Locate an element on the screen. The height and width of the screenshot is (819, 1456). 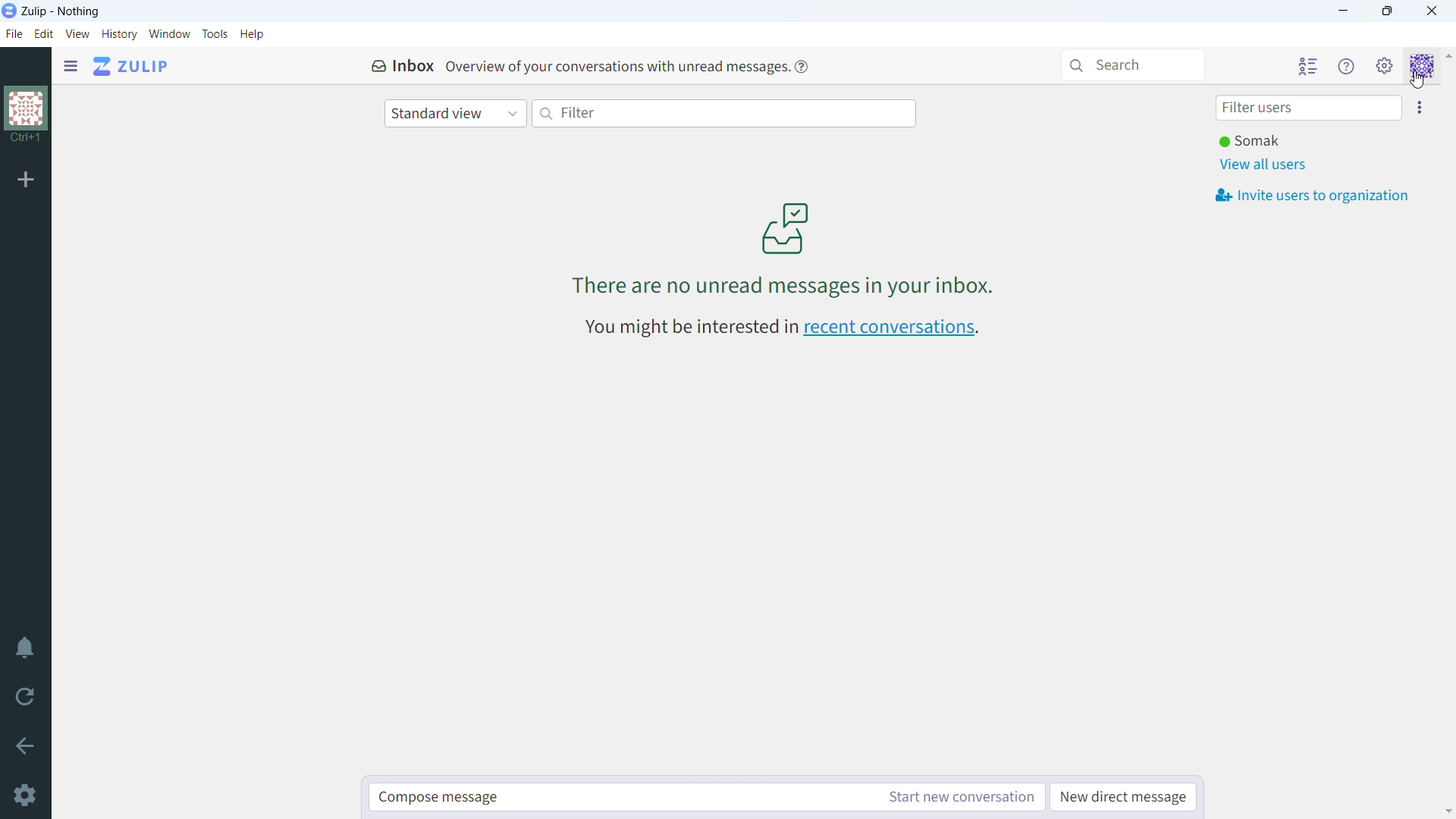
invite users to organization is located at coordinates (1420, 107).